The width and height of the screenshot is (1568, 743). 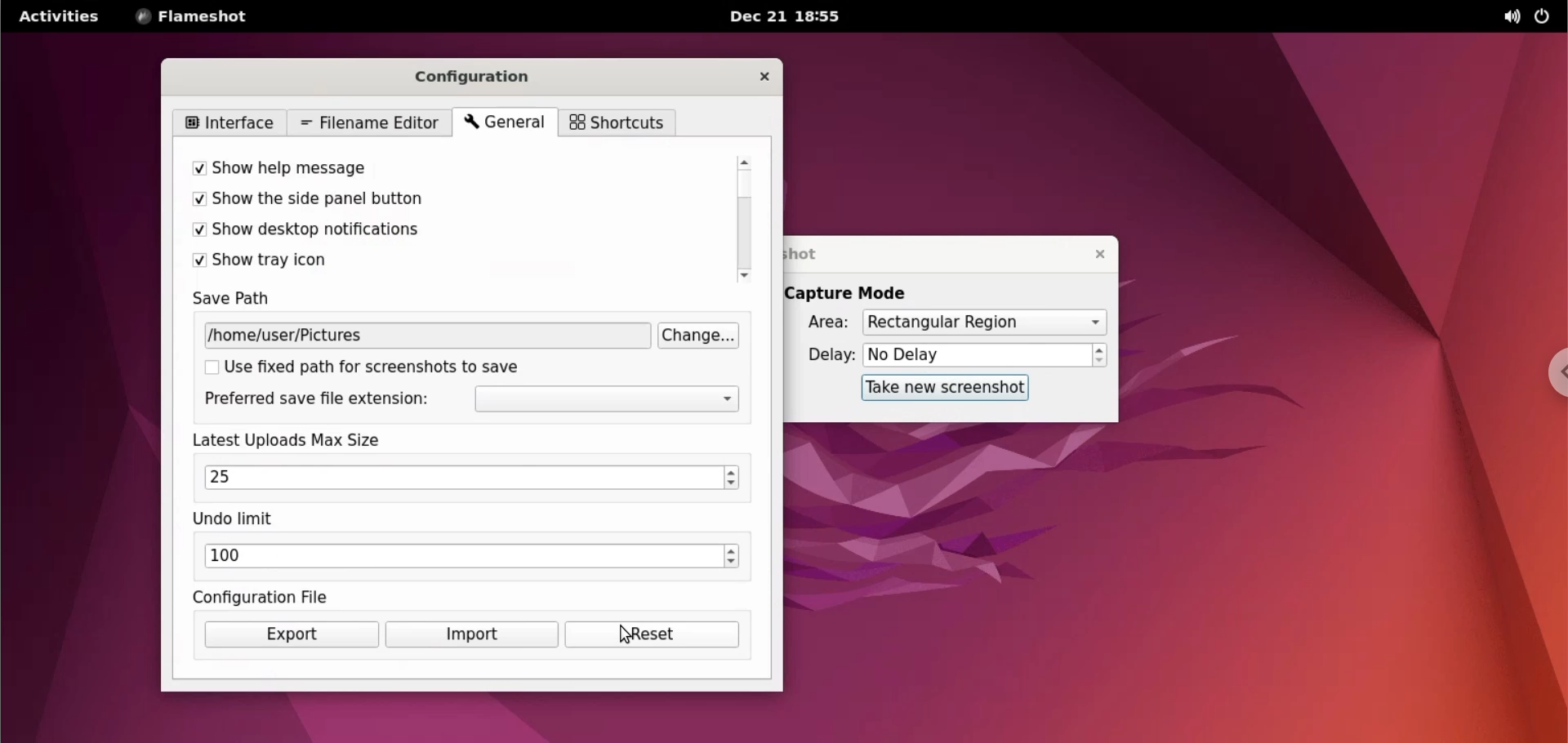 What do you see at coordinates (742, 216) in the screenshot?
I see `scroll bar` at bounding box center [742, 216].